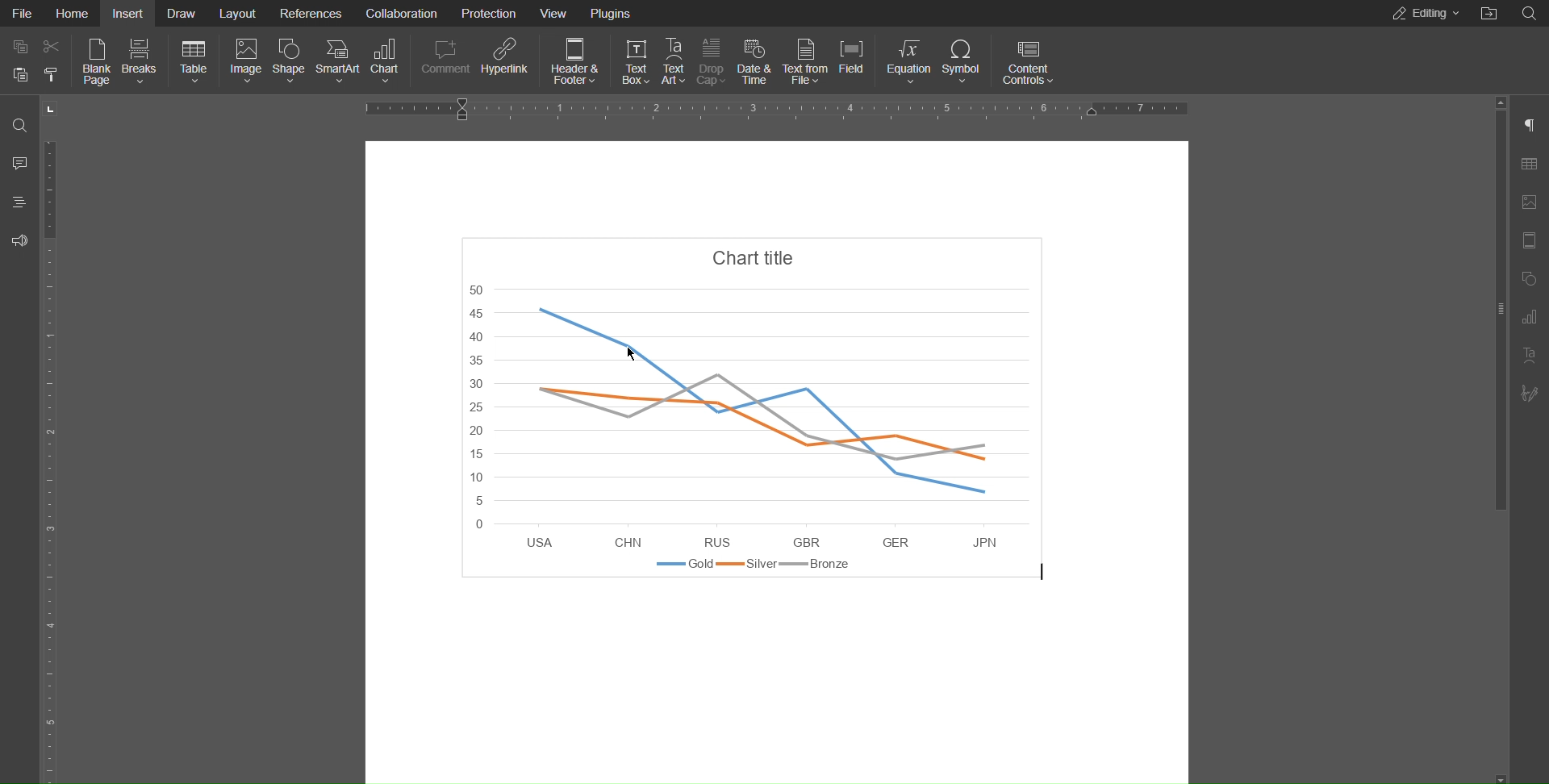  I want to click on Signature, so click(1529, 390).